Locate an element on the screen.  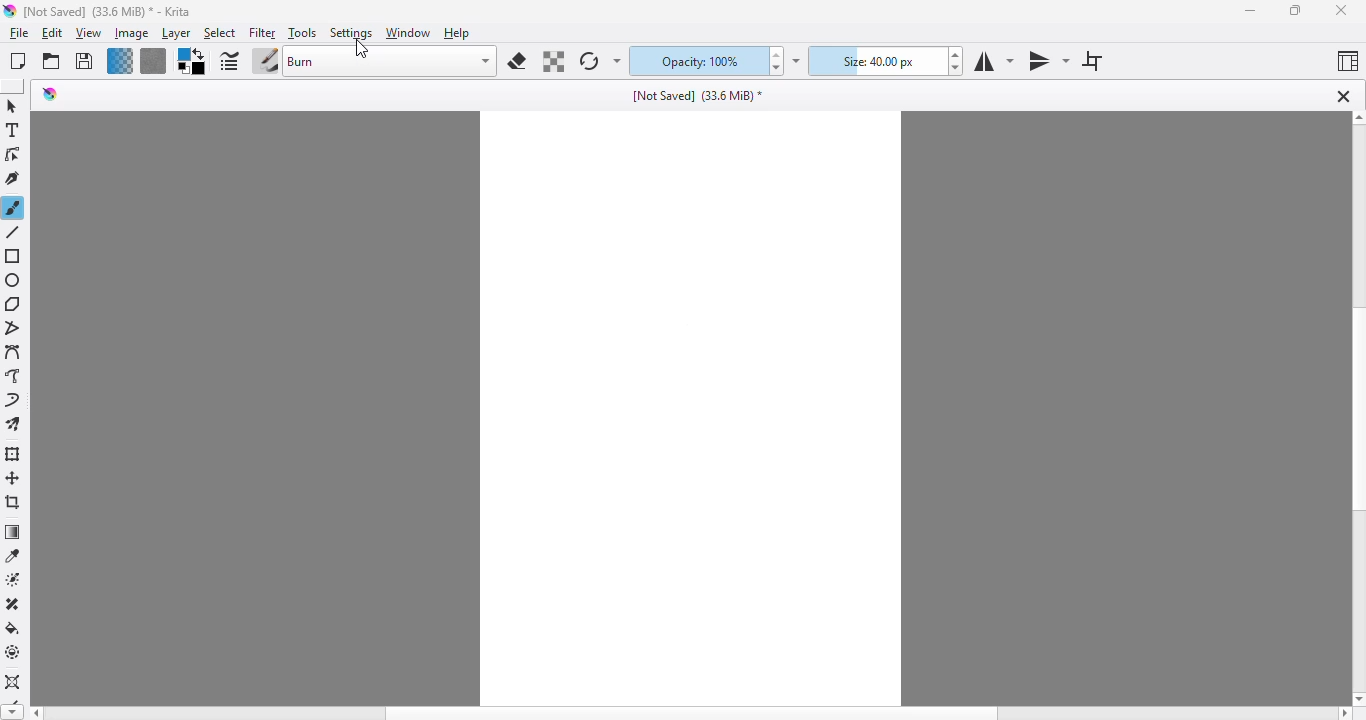
rectangle tool is located at coordinates (14, 257).